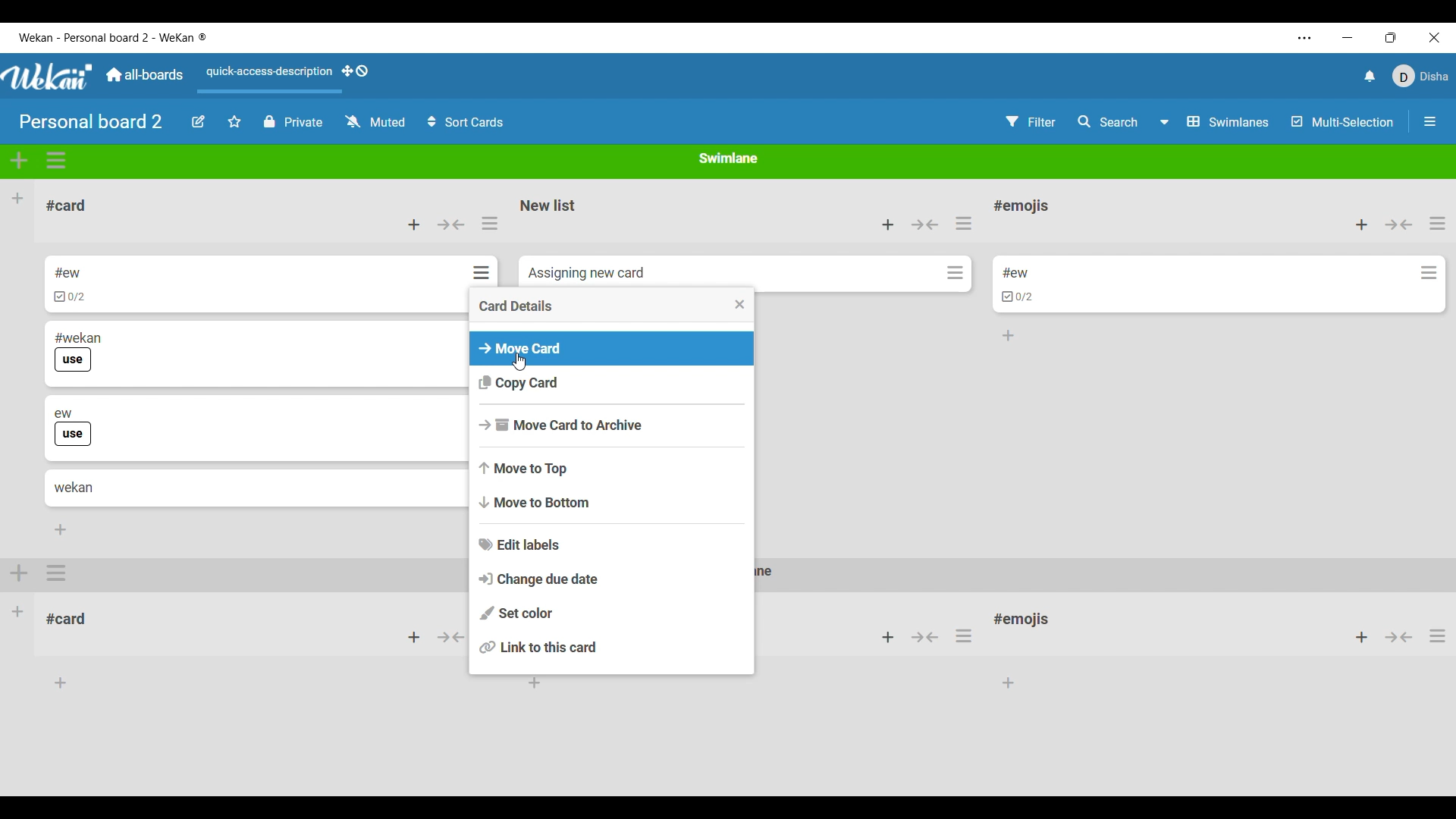 This screenshot has height=819, width=1456. Describe the element at coordinates (17, 198) in the screenshot. I see `Add list` at that location.